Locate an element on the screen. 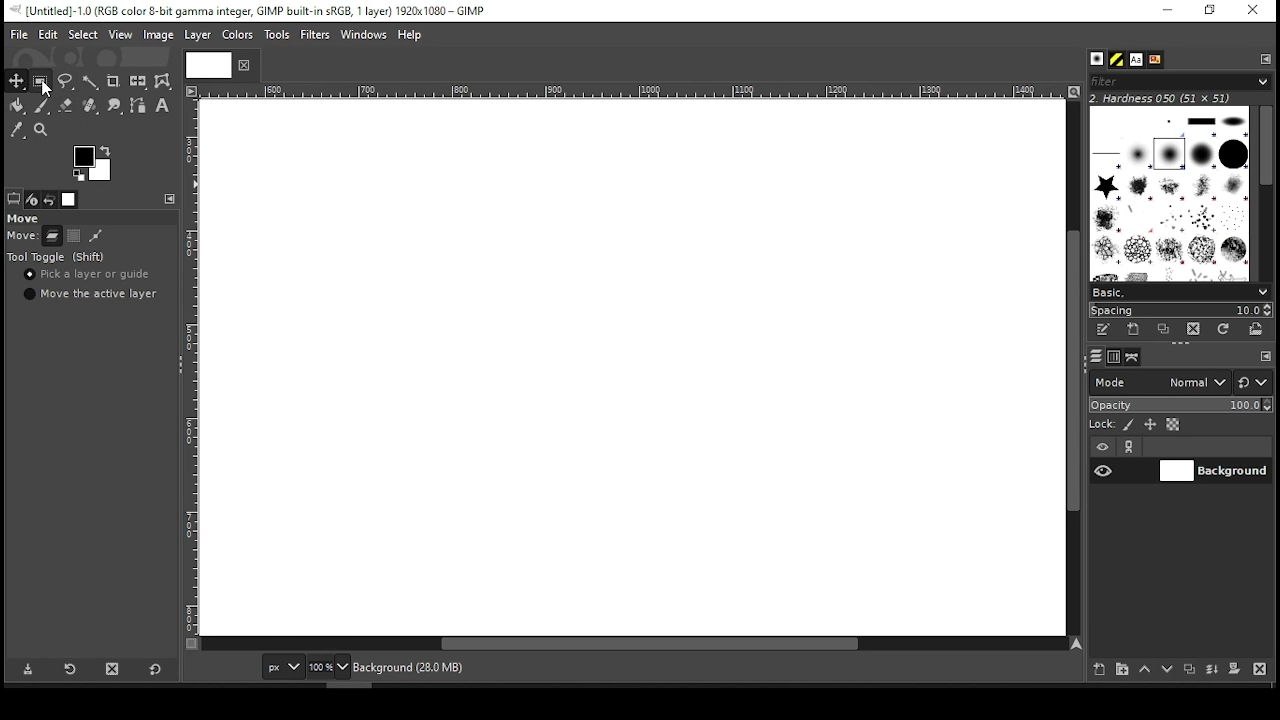 This screenshot has height=720, width=1280. paths is located at coordinates (1135, 356).